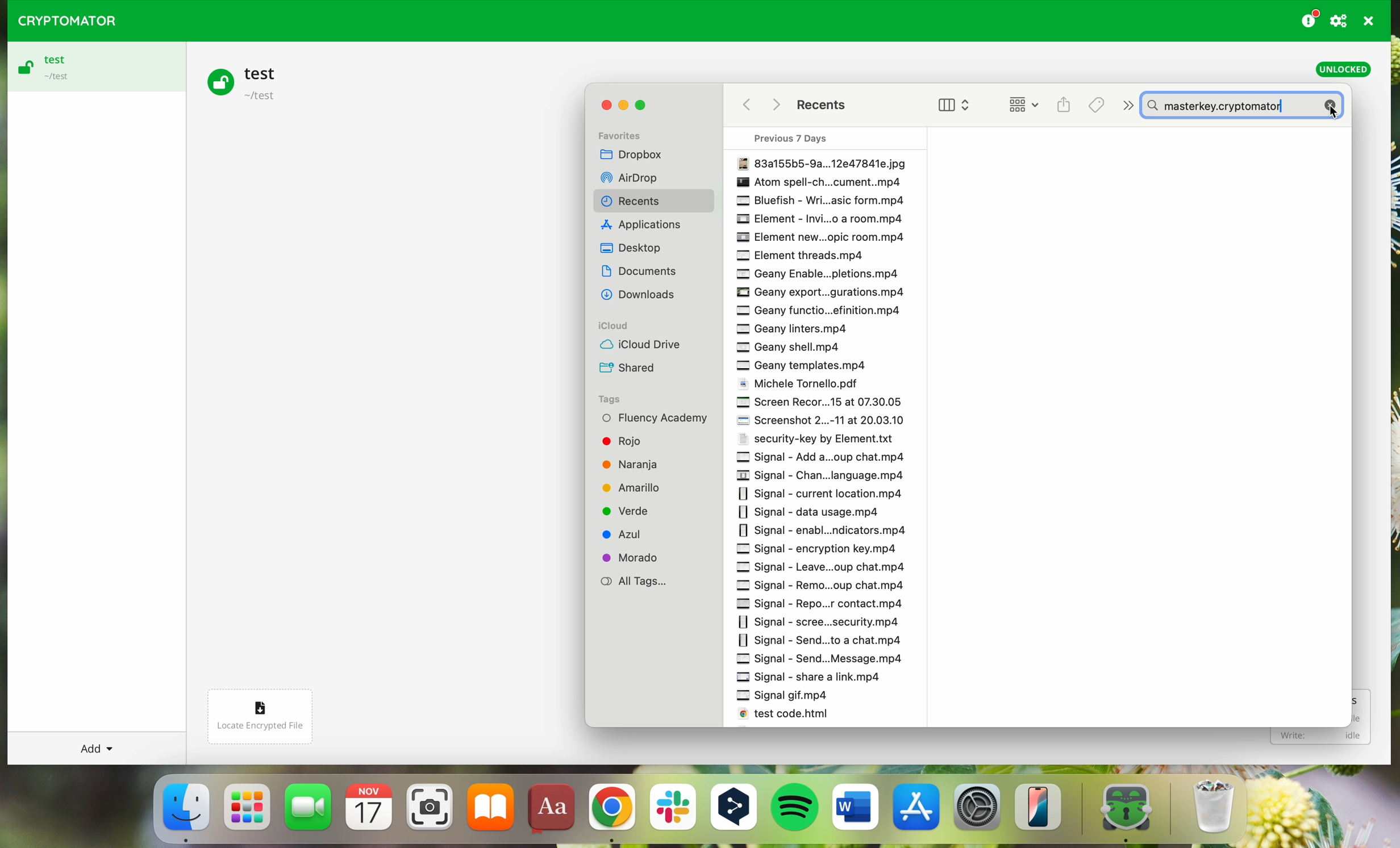  Describe the element at coordinates (247, 81) in the screenshot. I see `test vault` at that location.